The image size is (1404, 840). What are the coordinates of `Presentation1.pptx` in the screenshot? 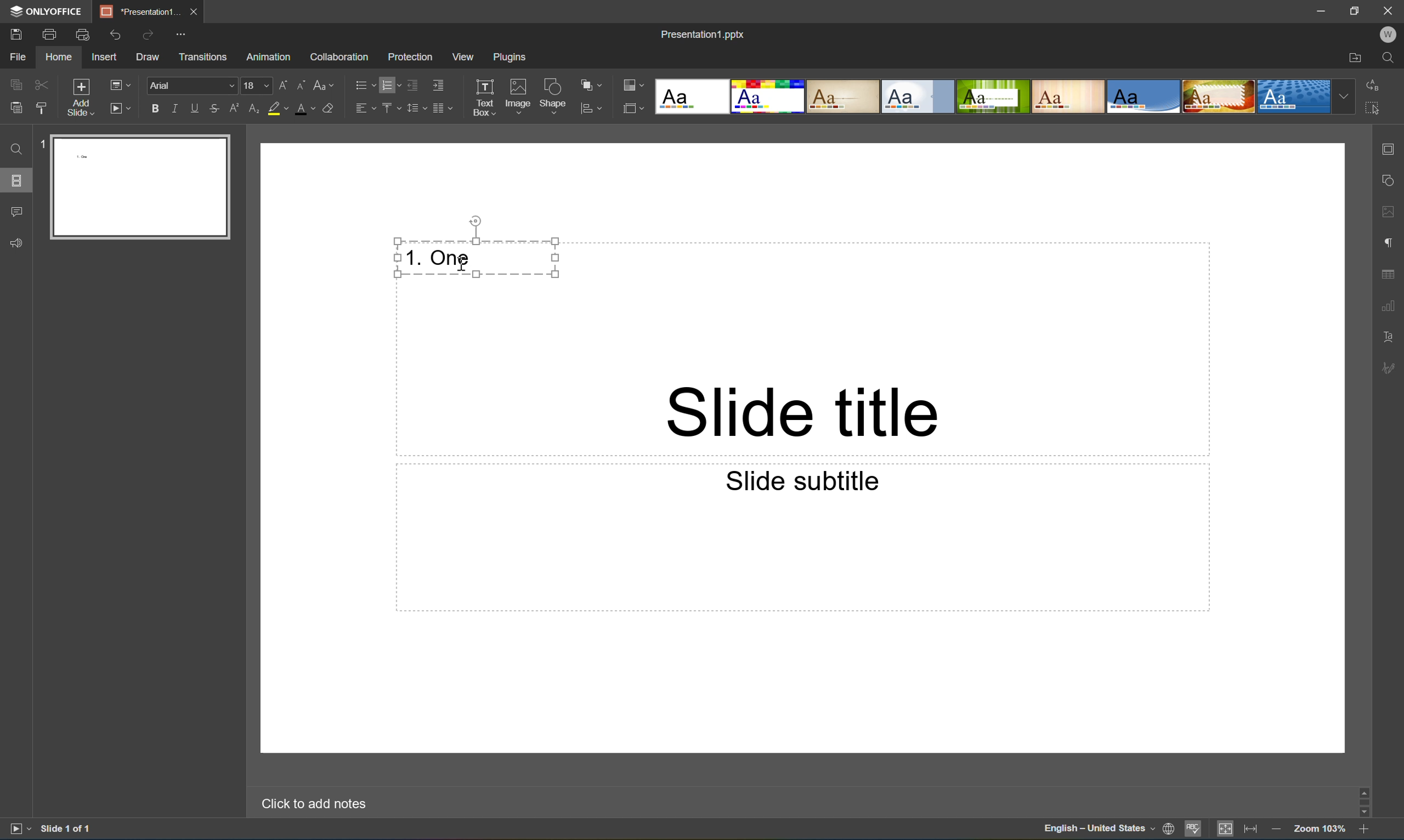 It's located at (702, 36).